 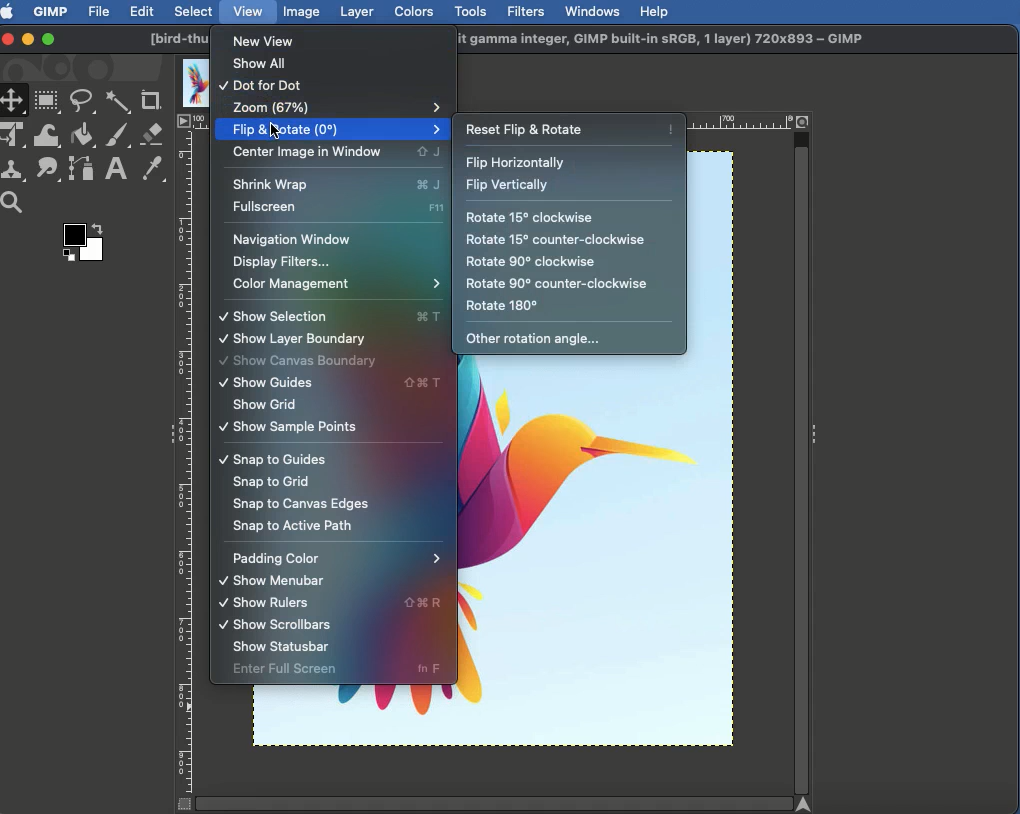 What do you see at coordinates (302, 316) in the screenshot?
I see `Show selection` at bounding box center [302, 316].